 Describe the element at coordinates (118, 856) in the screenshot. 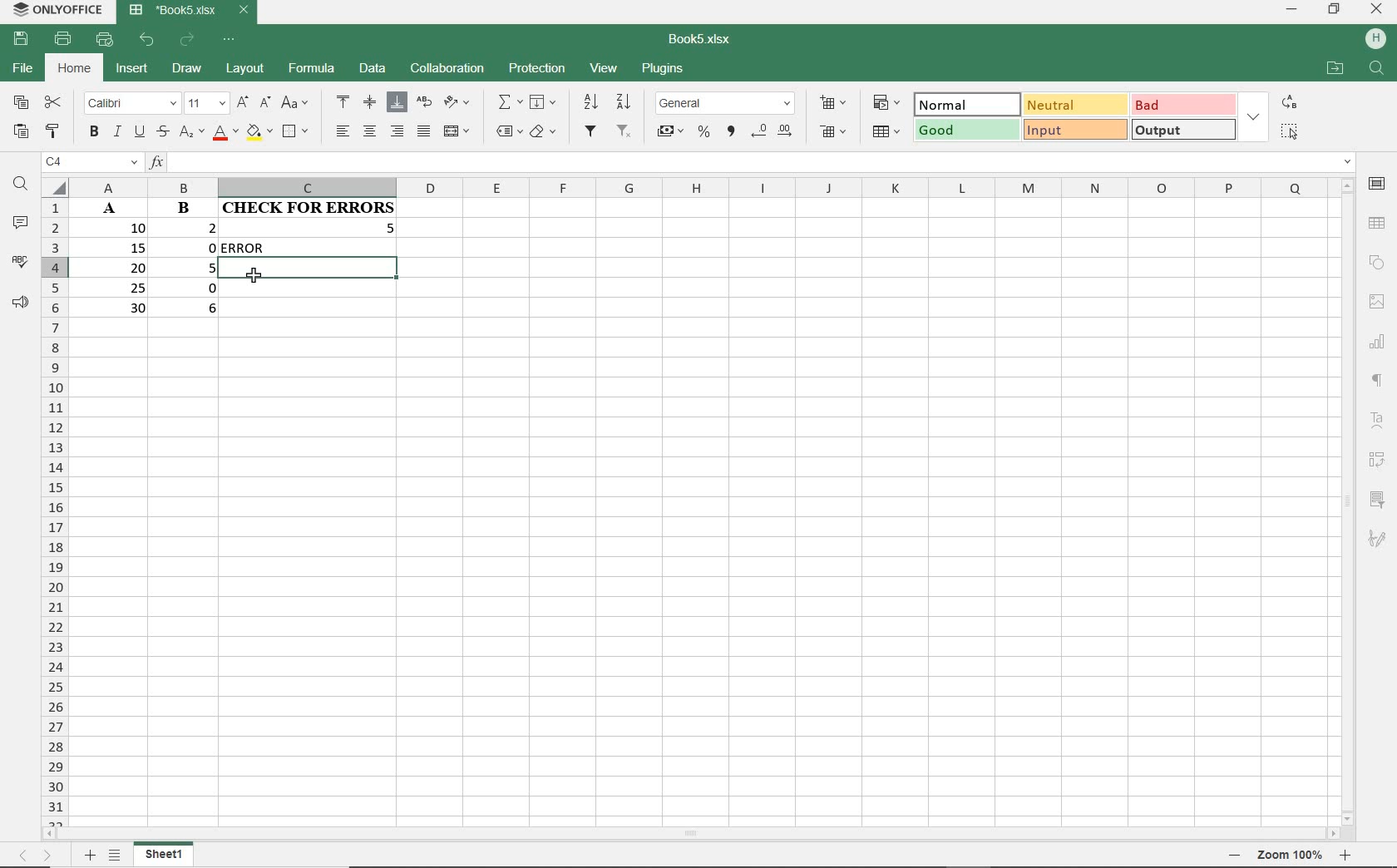

I see `` at that location.